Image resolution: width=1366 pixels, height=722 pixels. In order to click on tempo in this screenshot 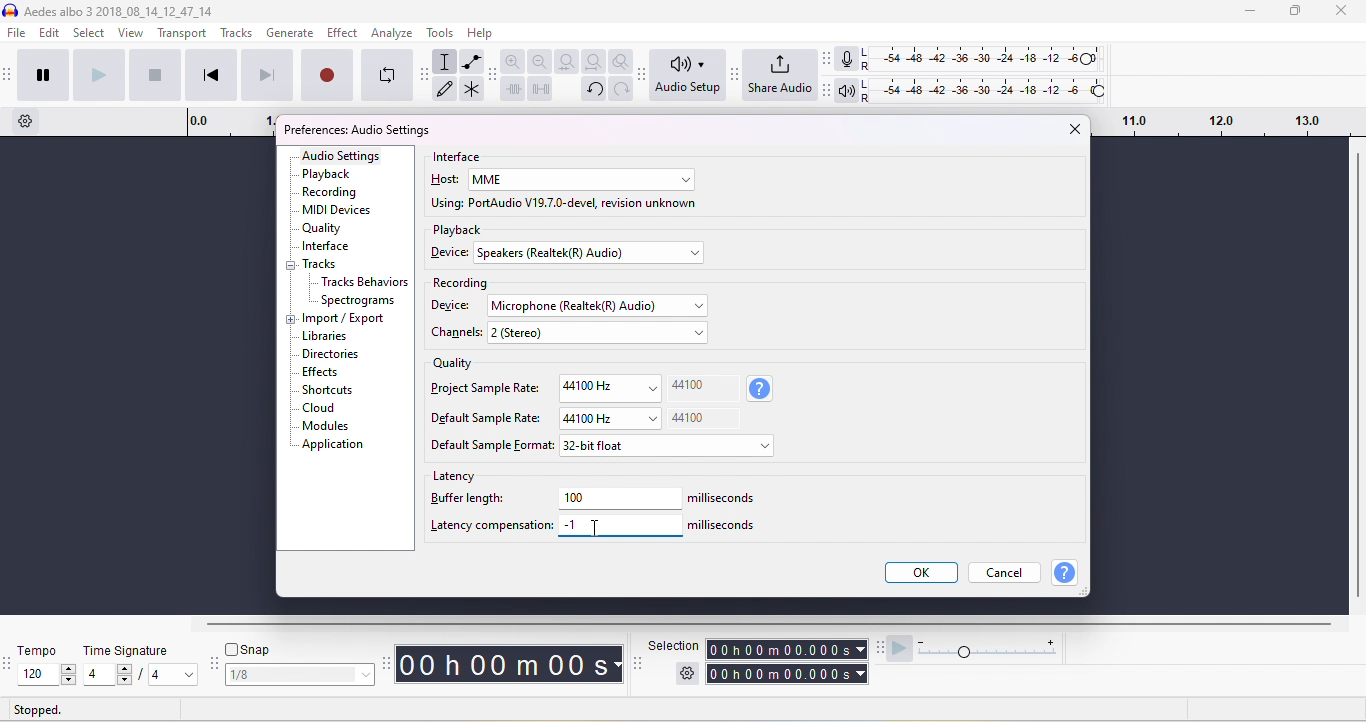, I will do `click(40, 652)`.